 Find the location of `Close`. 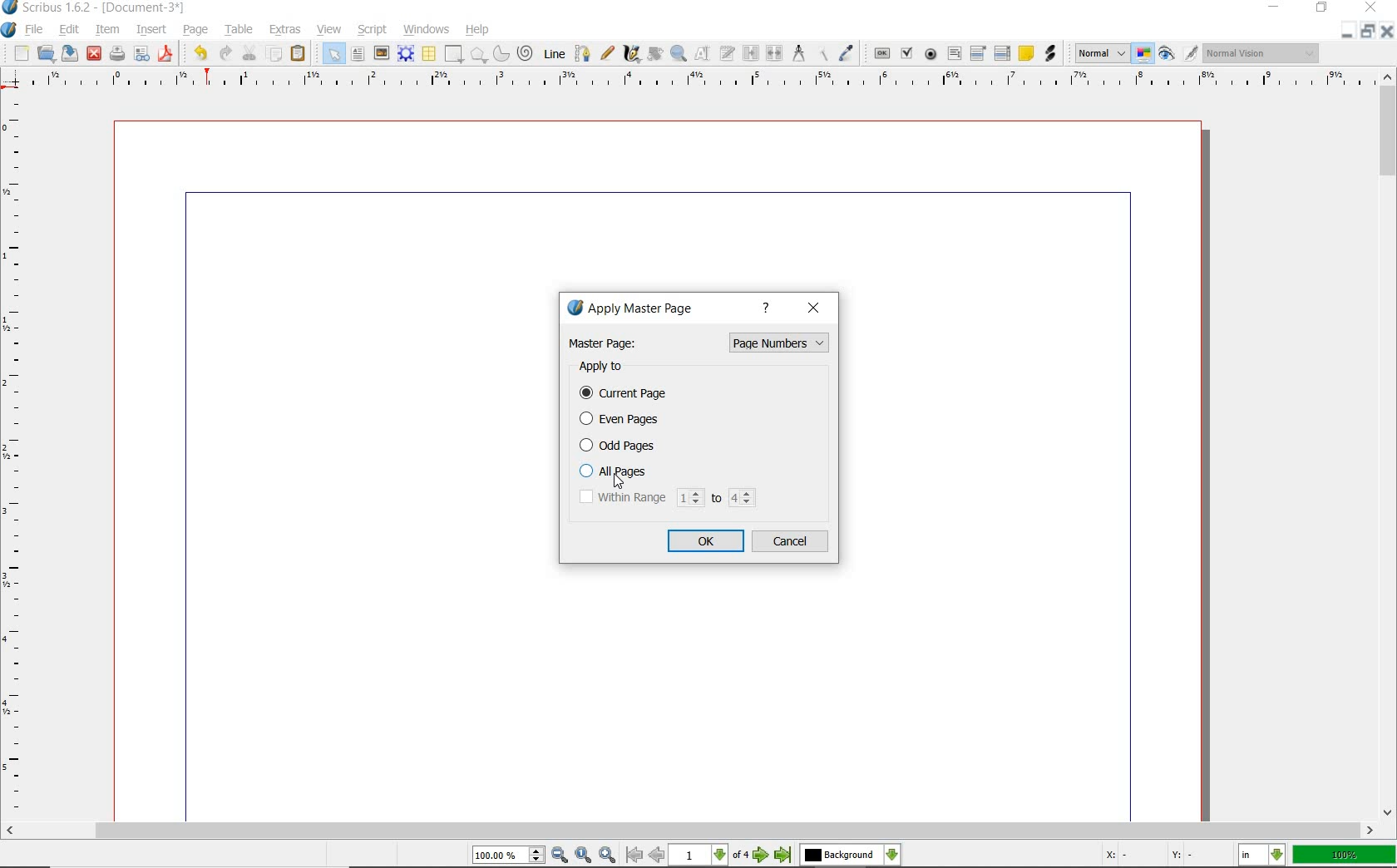

Close is located at coordinates (1389, 33).